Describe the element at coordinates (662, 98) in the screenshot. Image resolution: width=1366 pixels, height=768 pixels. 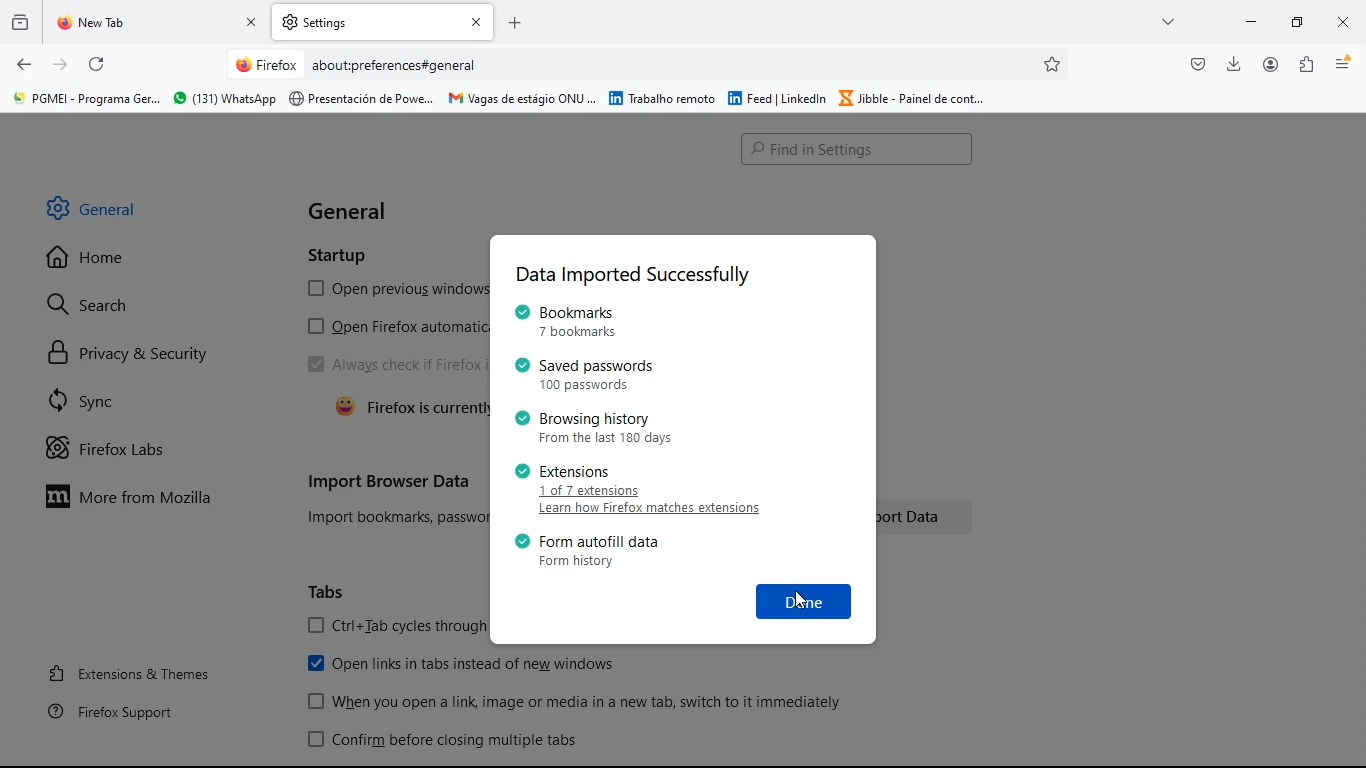
I see `| Trabalho remoto` at that location.